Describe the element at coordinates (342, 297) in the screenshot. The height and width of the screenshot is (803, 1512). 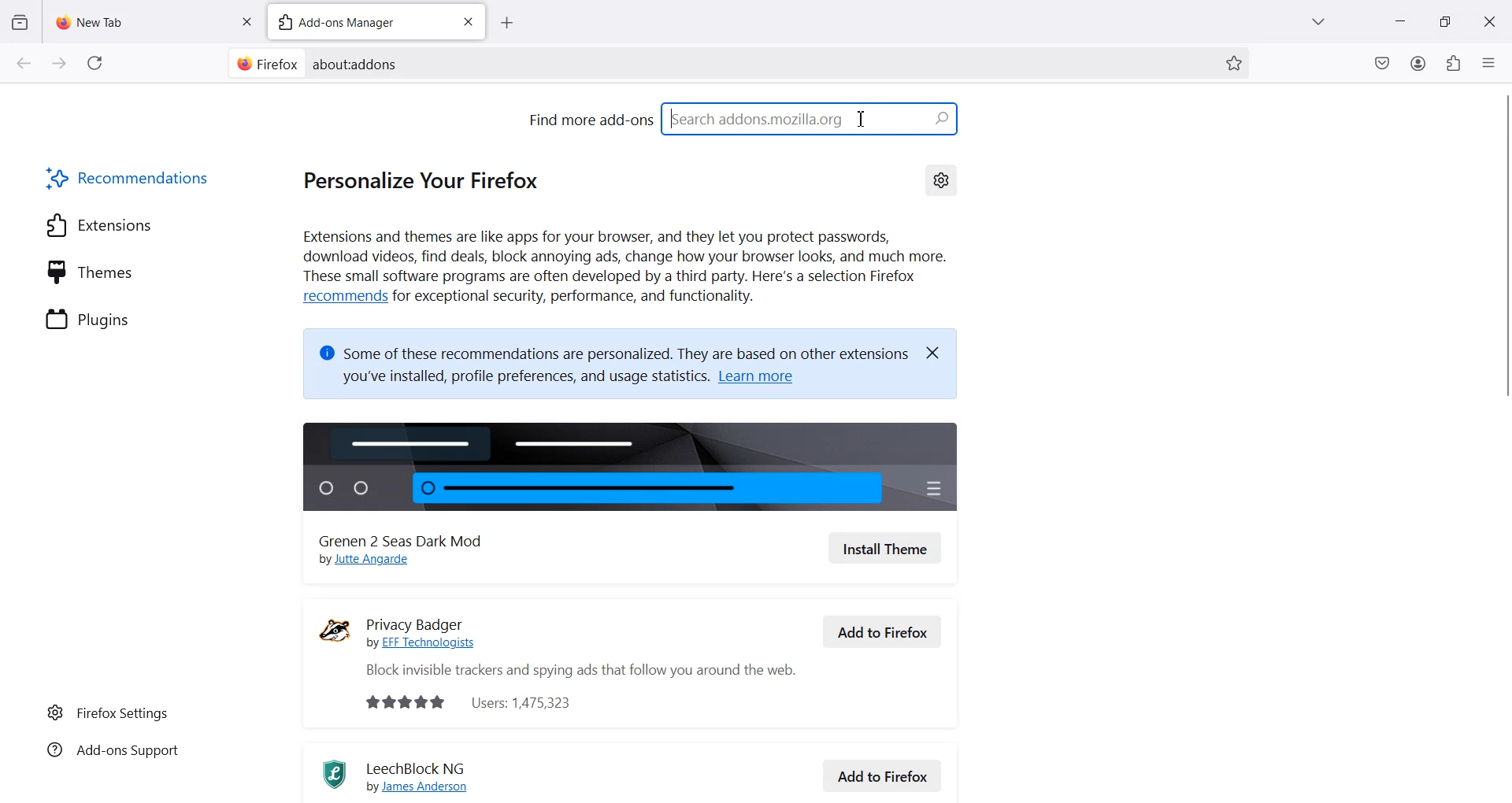
I see `recommends` at that location.